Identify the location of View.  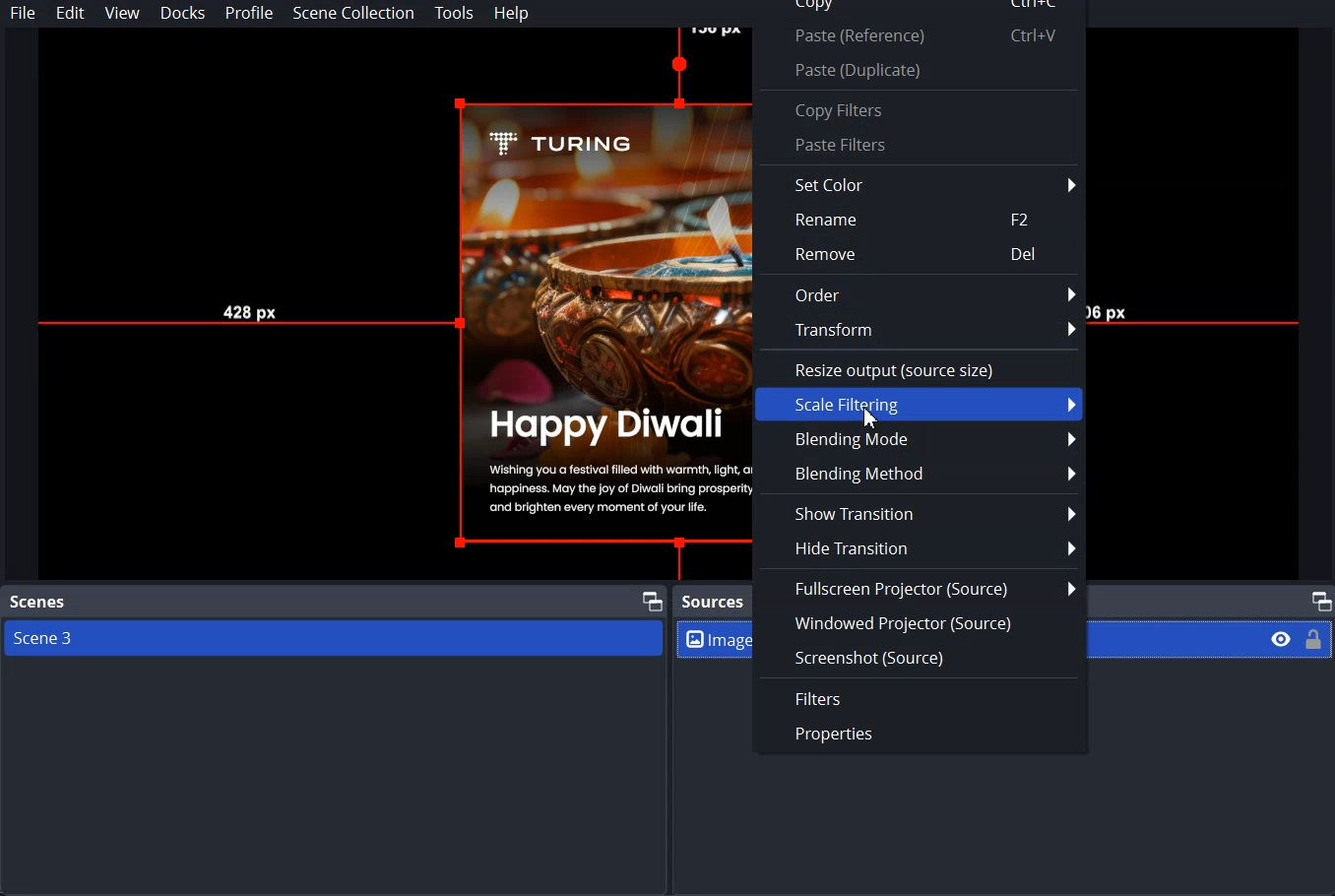
(122, 13).